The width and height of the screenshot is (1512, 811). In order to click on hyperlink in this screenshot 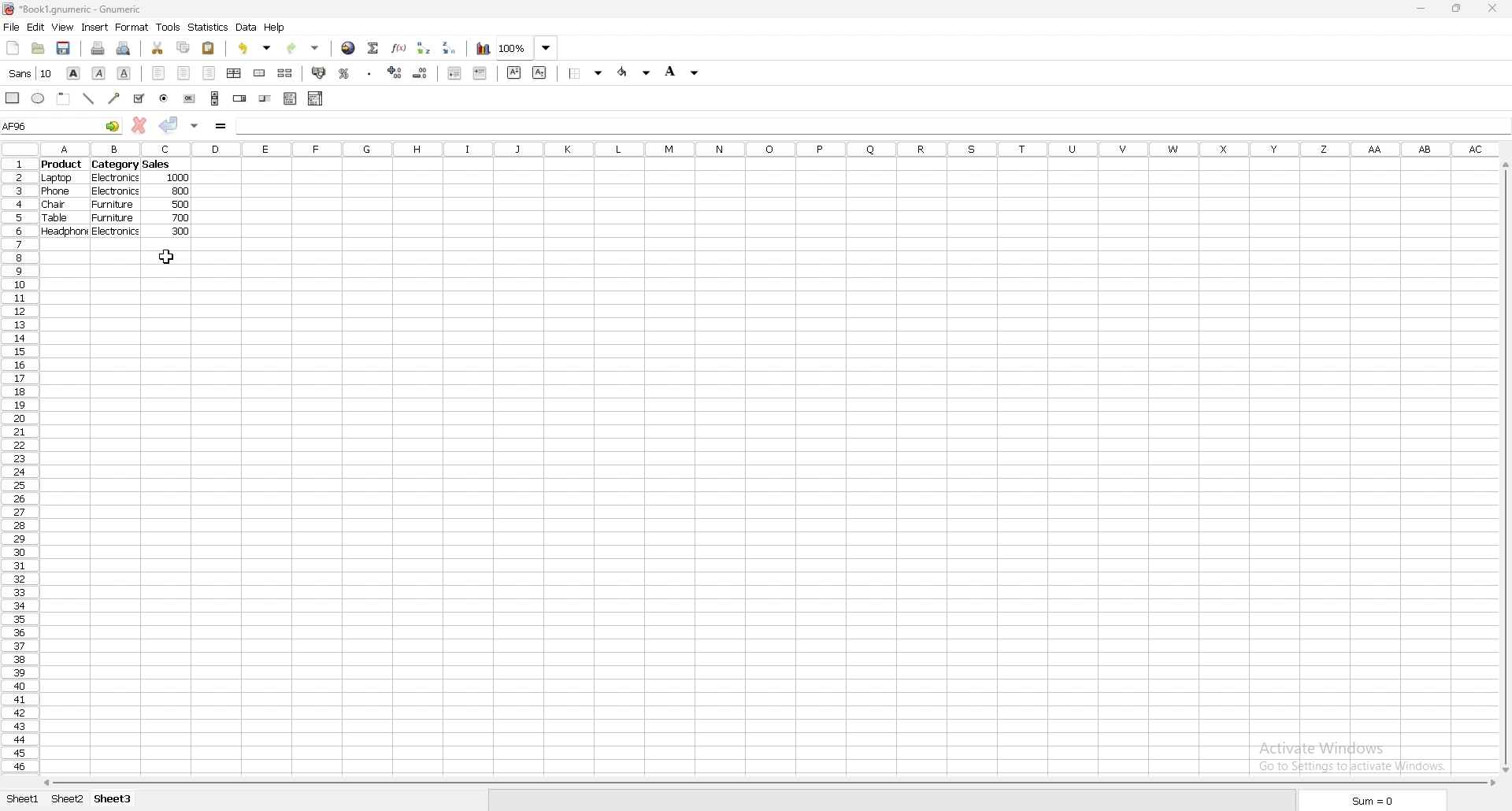, I will do `click(350, 48)`.